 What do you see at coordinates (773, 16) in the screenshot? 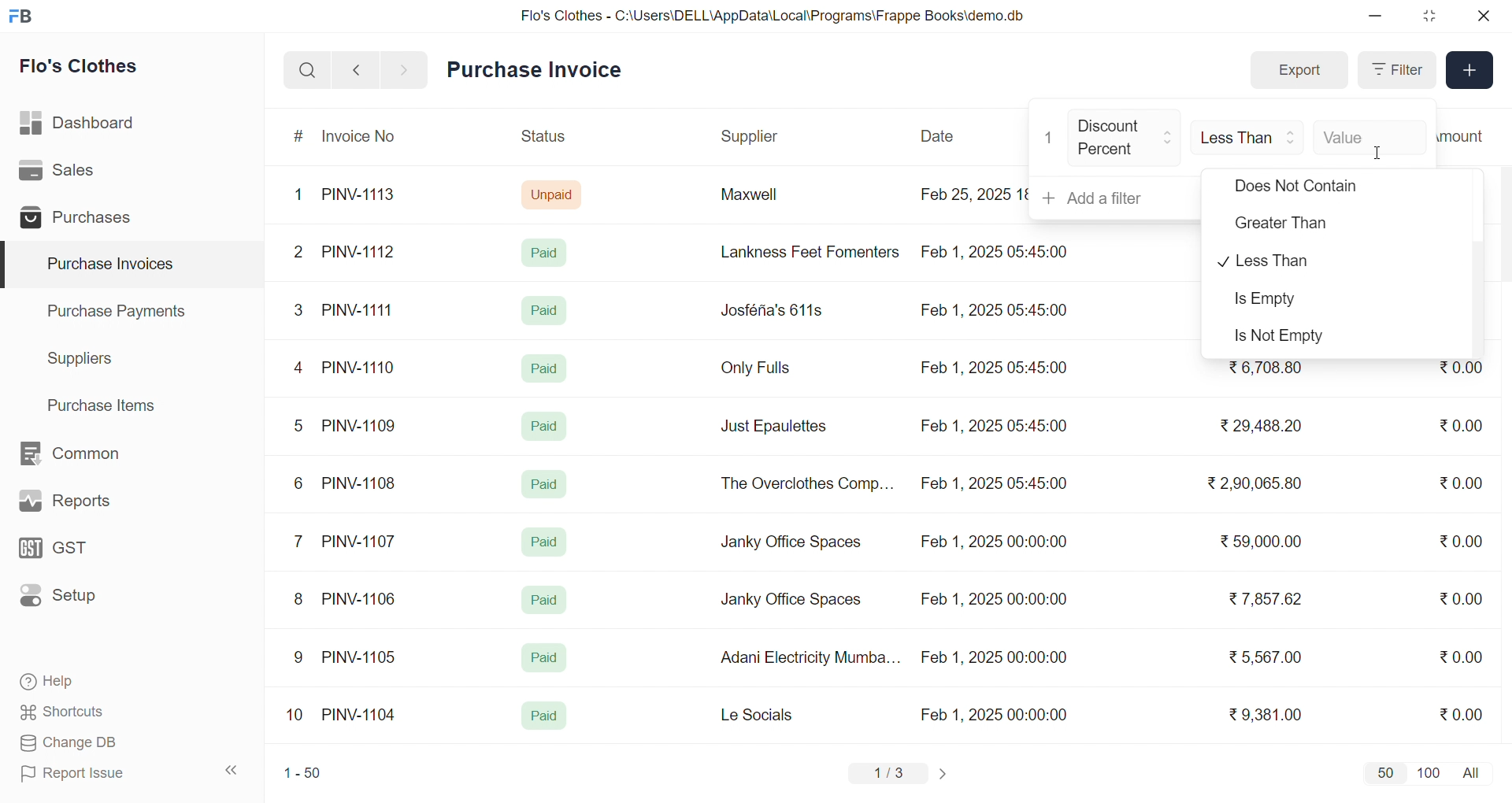
I see `Flo's Clothes - C:\Users\DELL\AppData\Local\Programs\Frappe Books\demo.db` at bounding box center [773, 16].